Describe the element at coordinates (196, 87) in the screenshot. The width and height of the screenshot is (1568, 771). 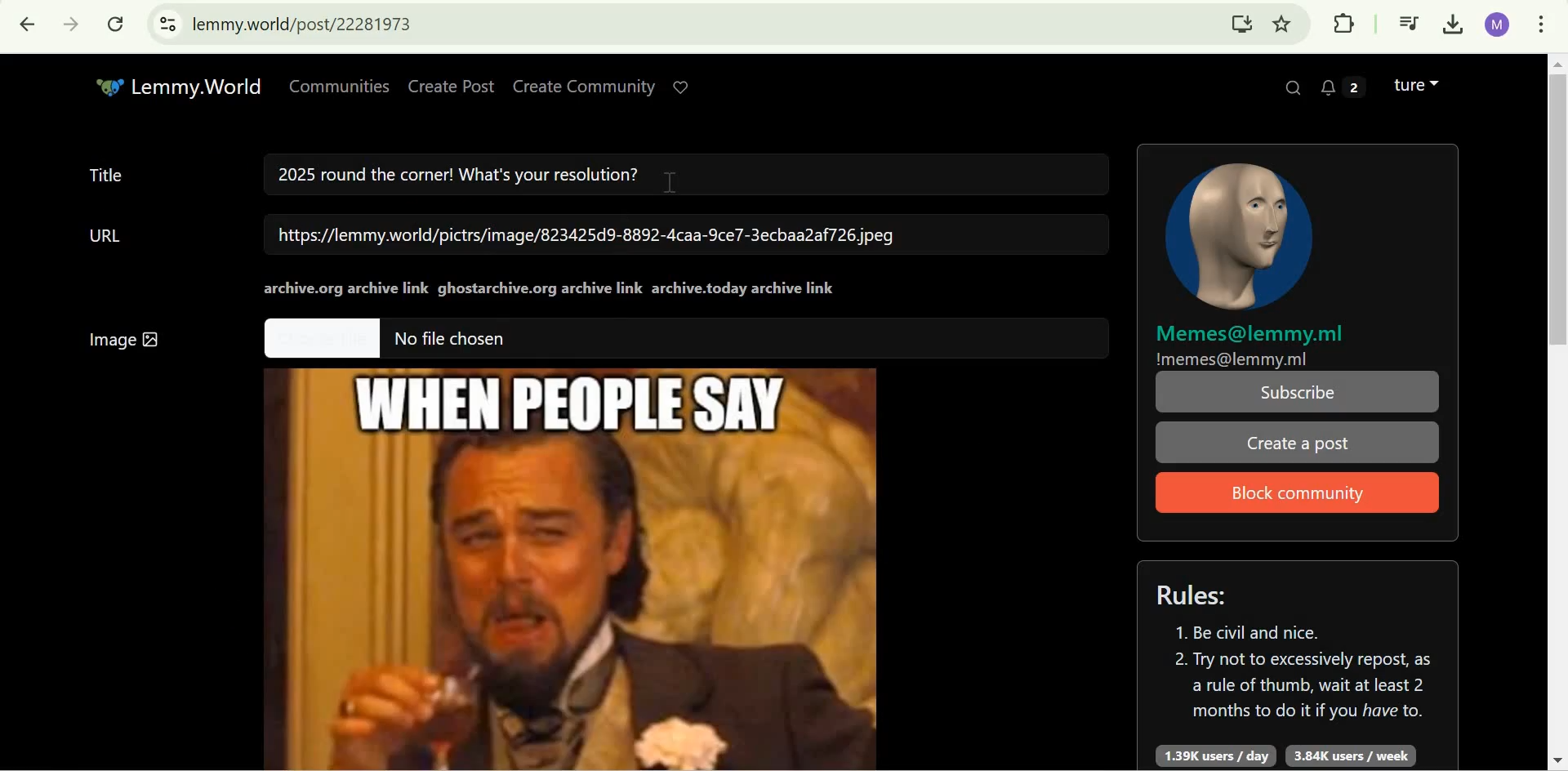
I see `Lemmy.World` at that location.